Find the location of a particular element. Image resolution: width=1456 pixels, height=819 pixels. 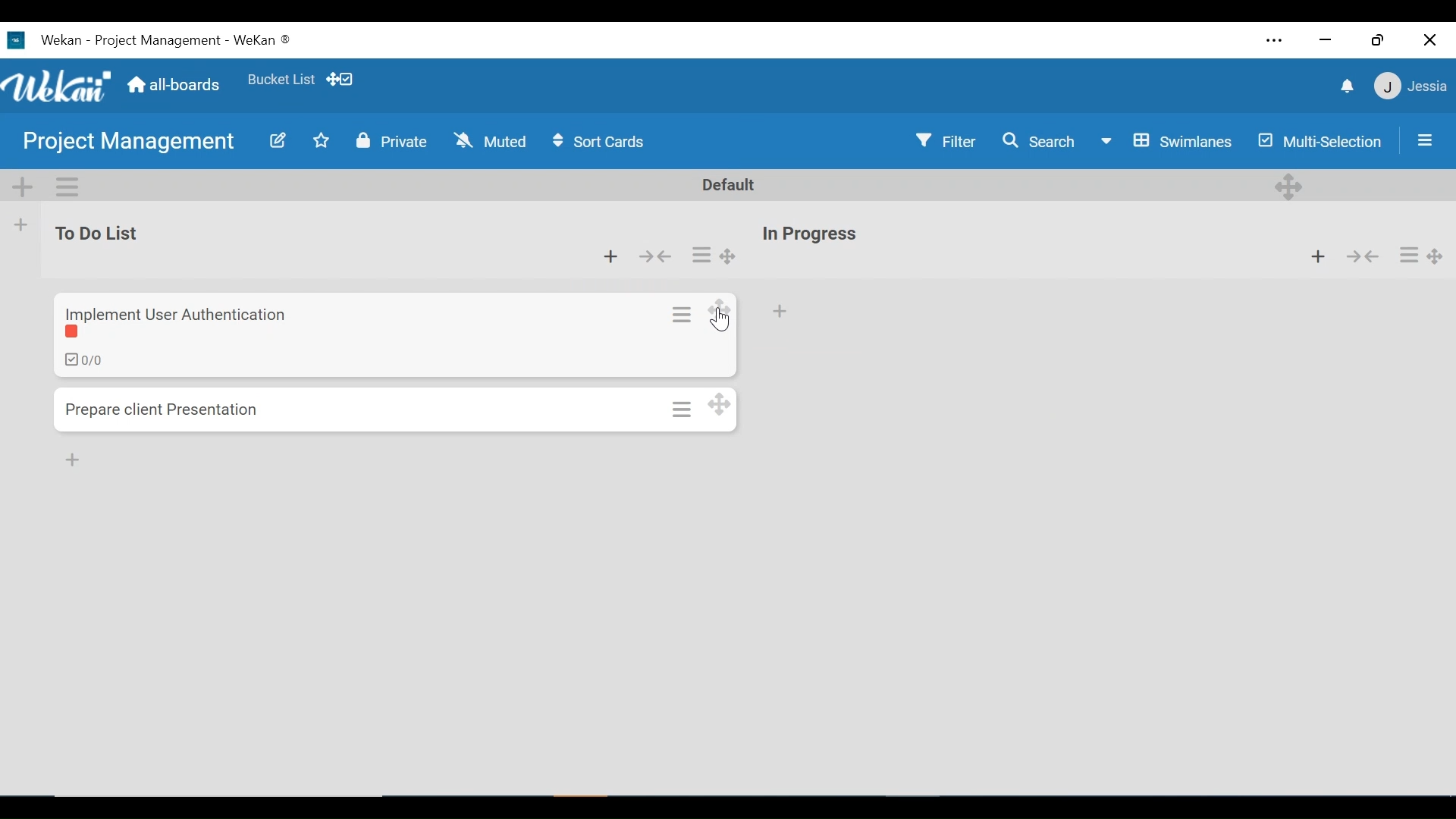

Add Card to top of the list is located at coordinates (781, 309).